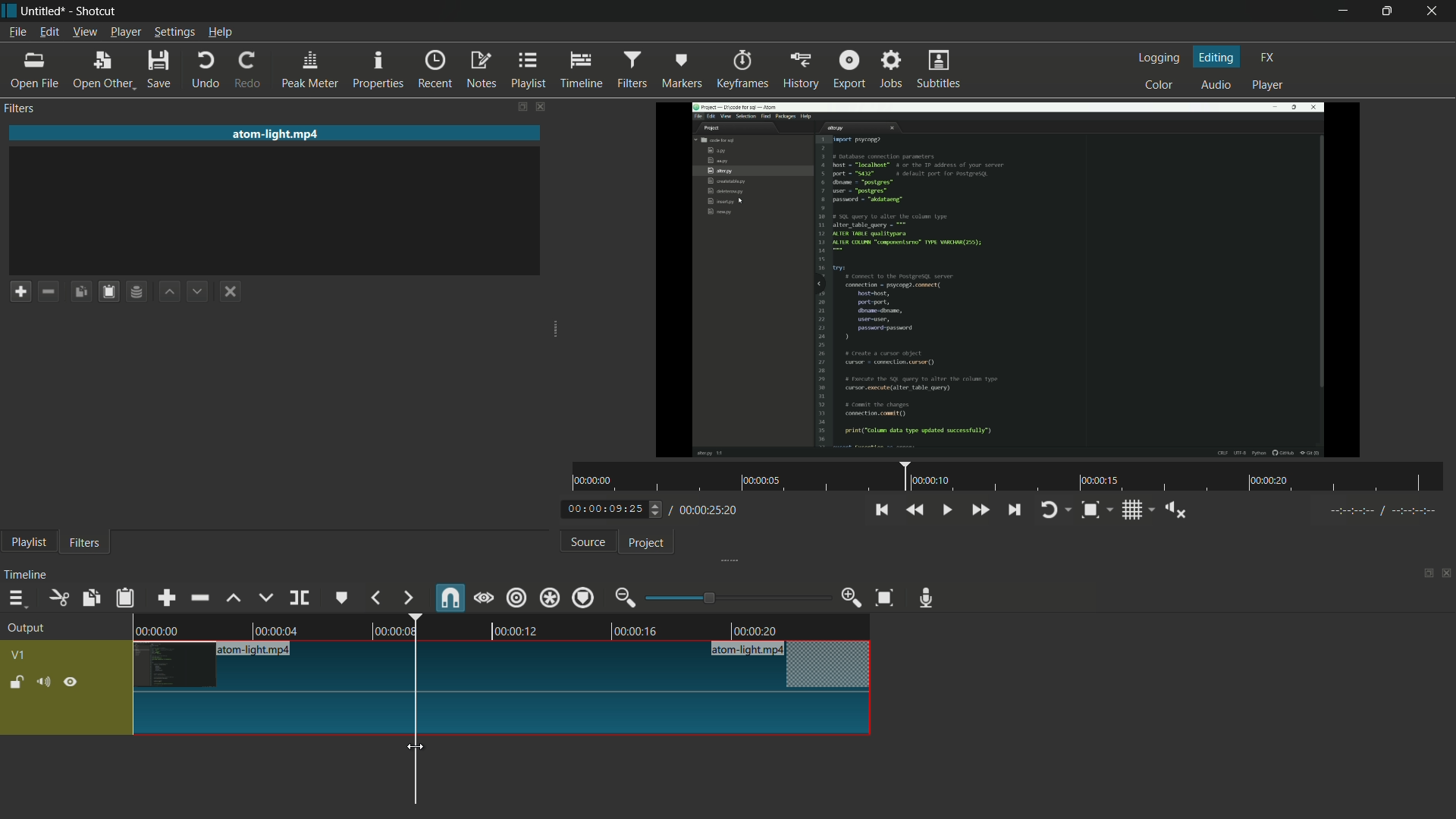 This screenshot has width=1456, height=819. What do you see at coordinates (1097, 510) in the screenshot?
I see `zoom timeline to fit` at bounding box center [1097, 510].